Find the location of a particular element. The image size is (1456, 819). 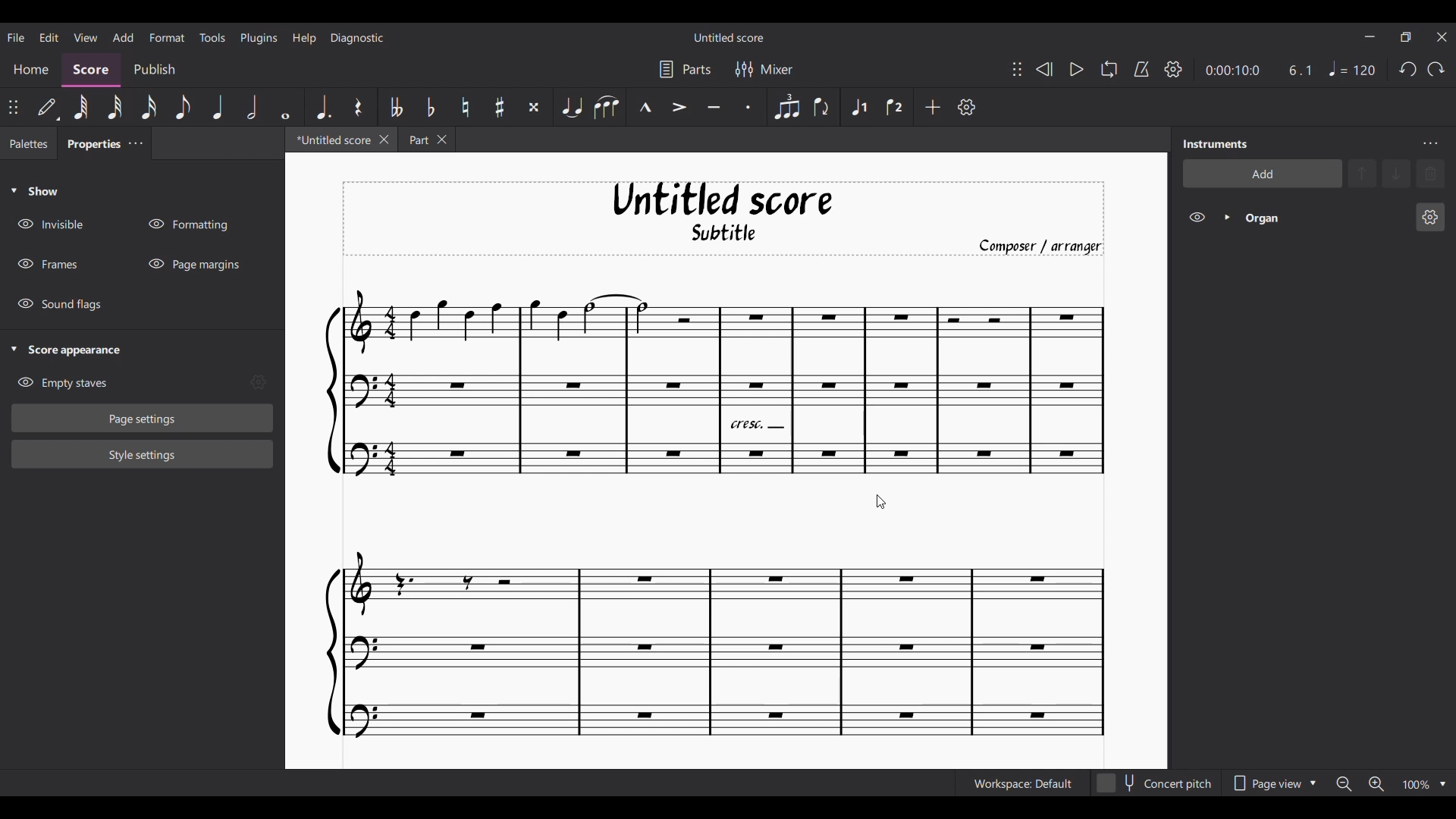

Staccato is located at coordinates (752, 108).